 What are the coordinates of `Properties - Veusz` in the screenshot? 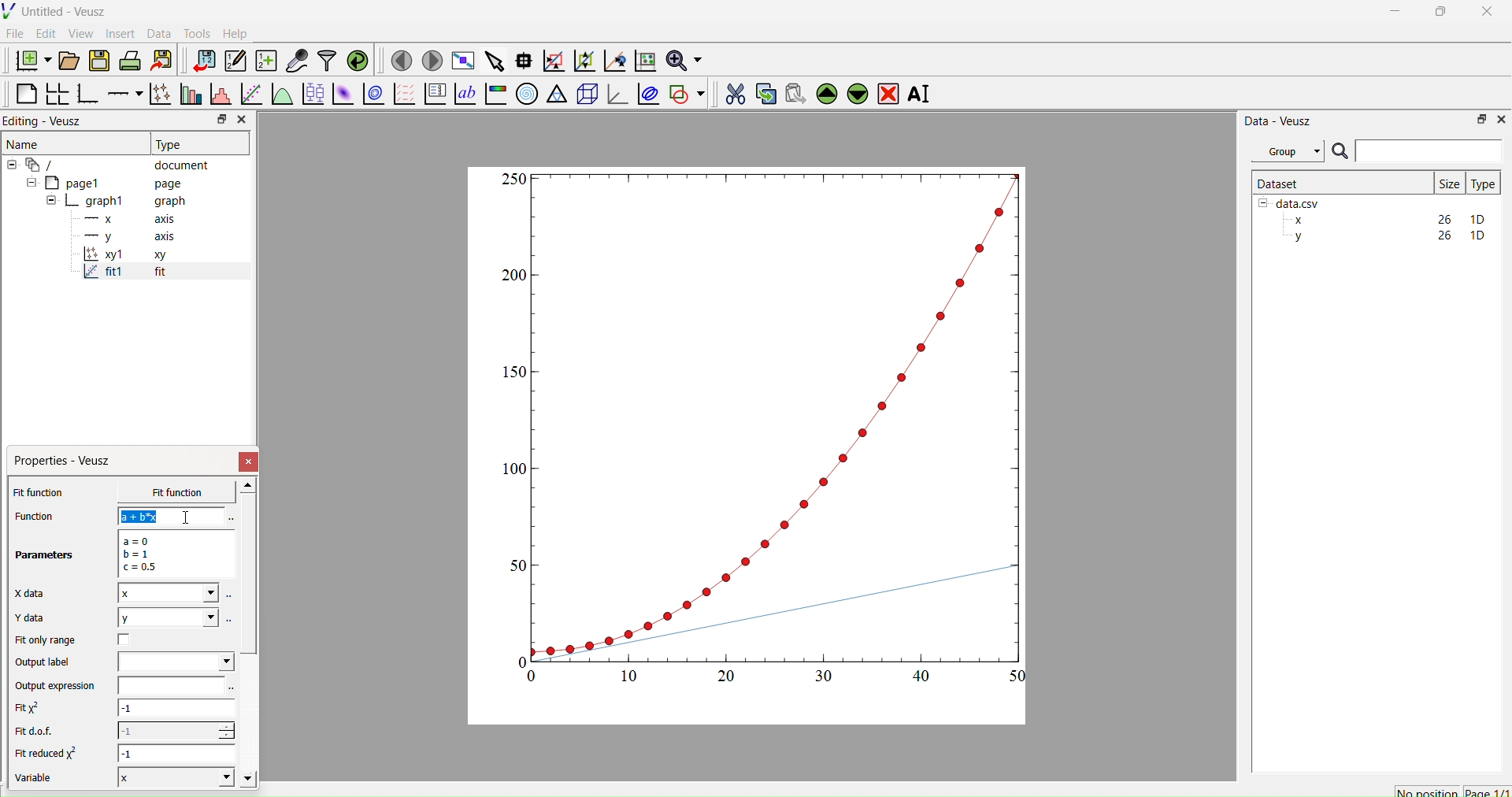 It's located at (66, 461).